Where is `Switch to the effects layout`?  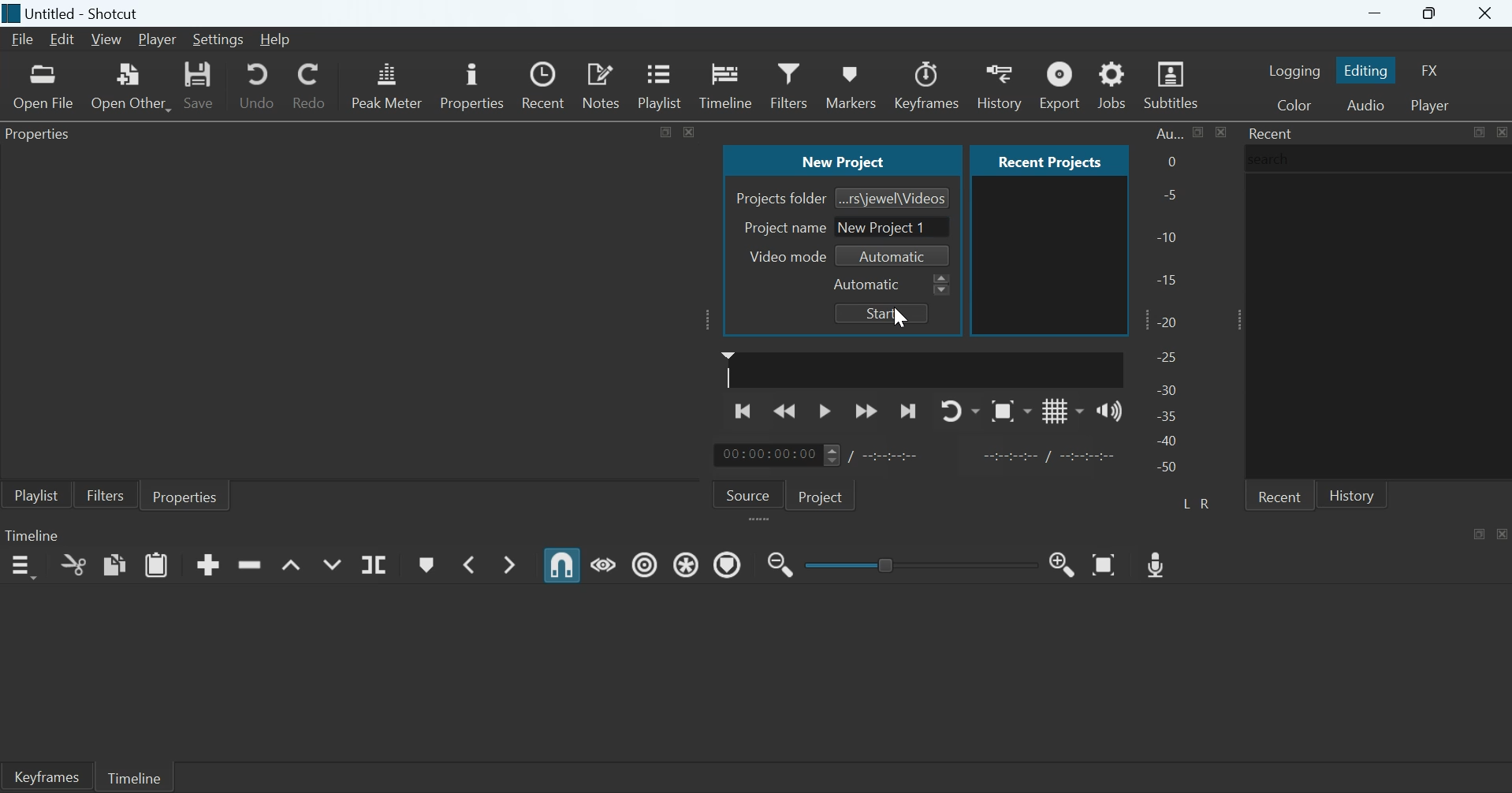 Switch to the effects layout is located at coordinates (1431, 70).